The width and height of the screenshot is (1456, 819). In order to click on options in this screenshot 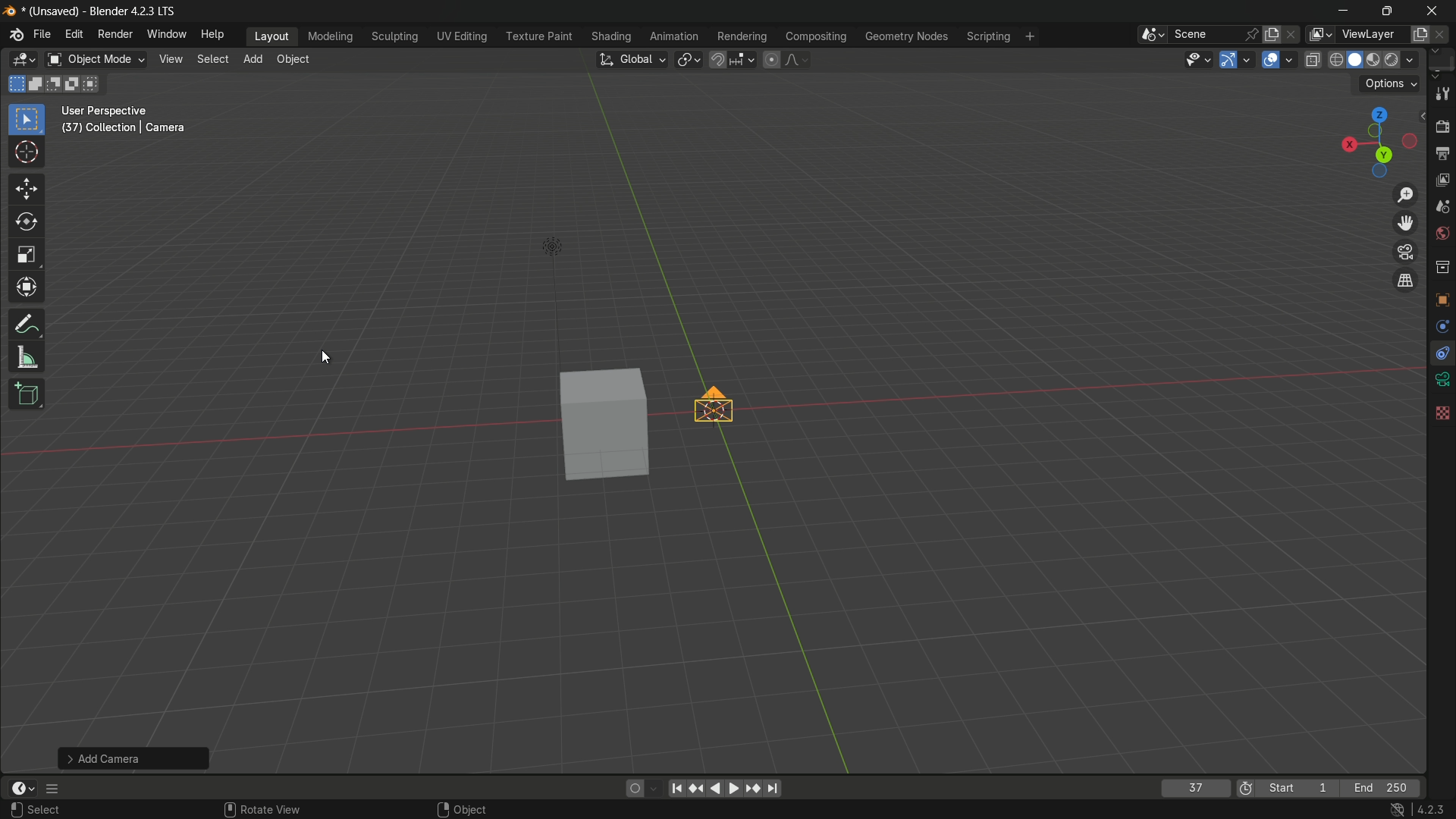, I will do `click(1392, 83)`.